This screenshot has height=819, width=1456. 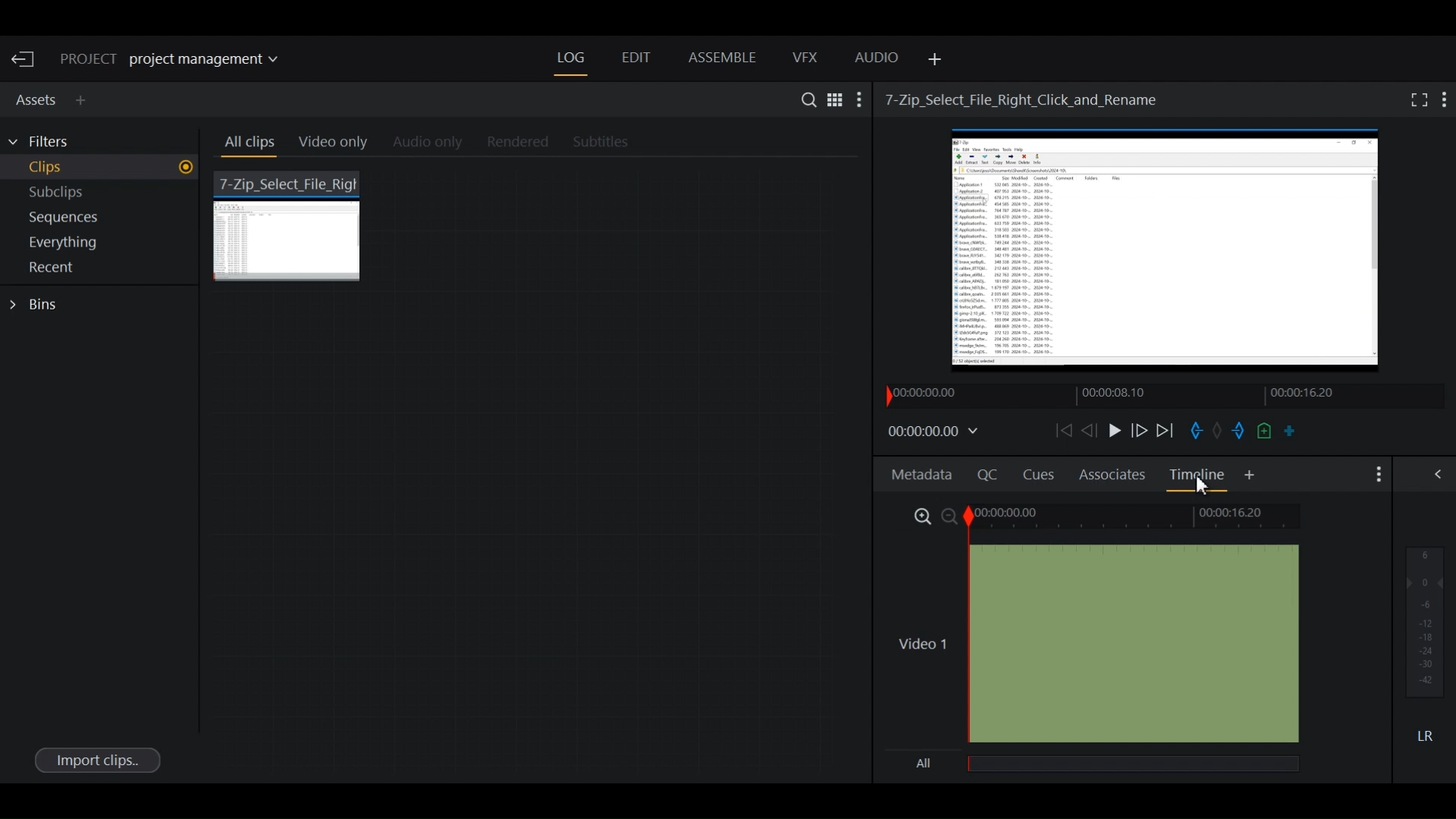 I want to click on Show/change current project details, so click(x=180, y=60).